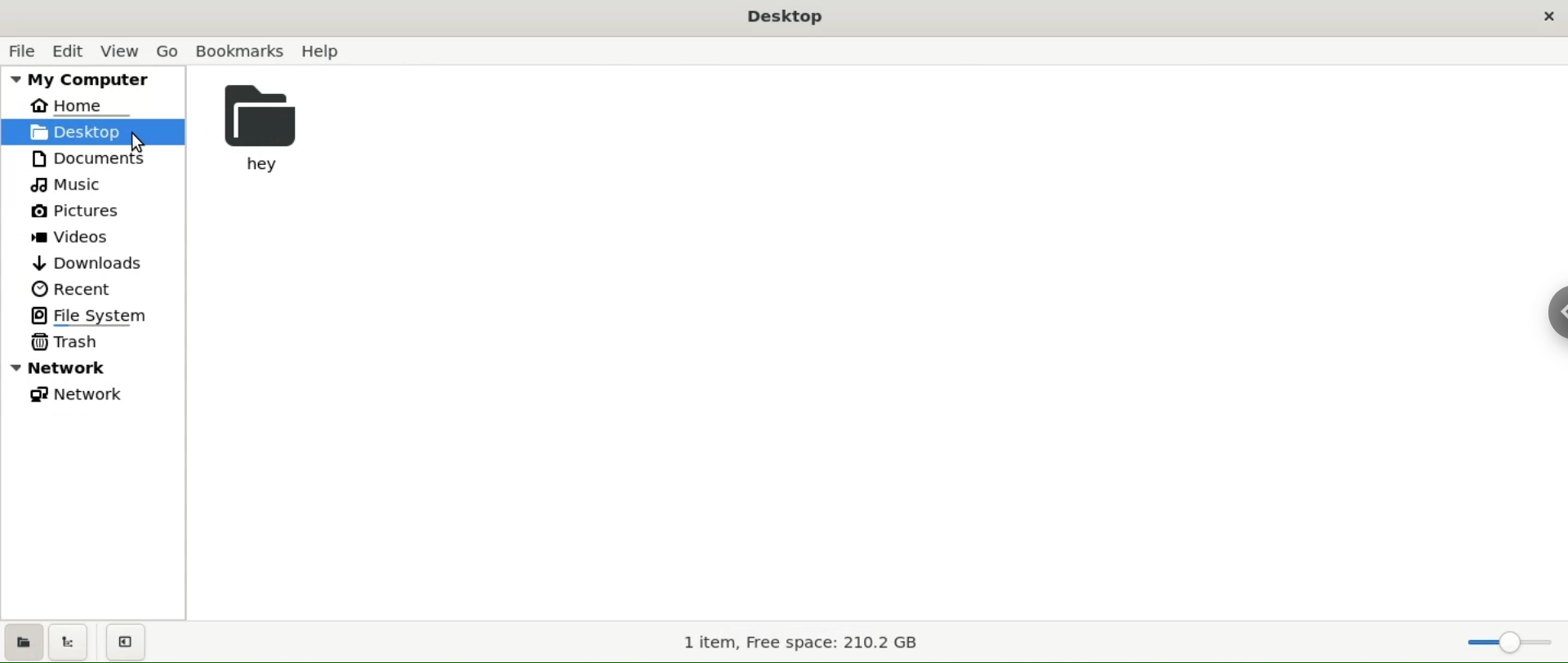 The image size is (1568, 663). I want to click on help, so click(328, 51).